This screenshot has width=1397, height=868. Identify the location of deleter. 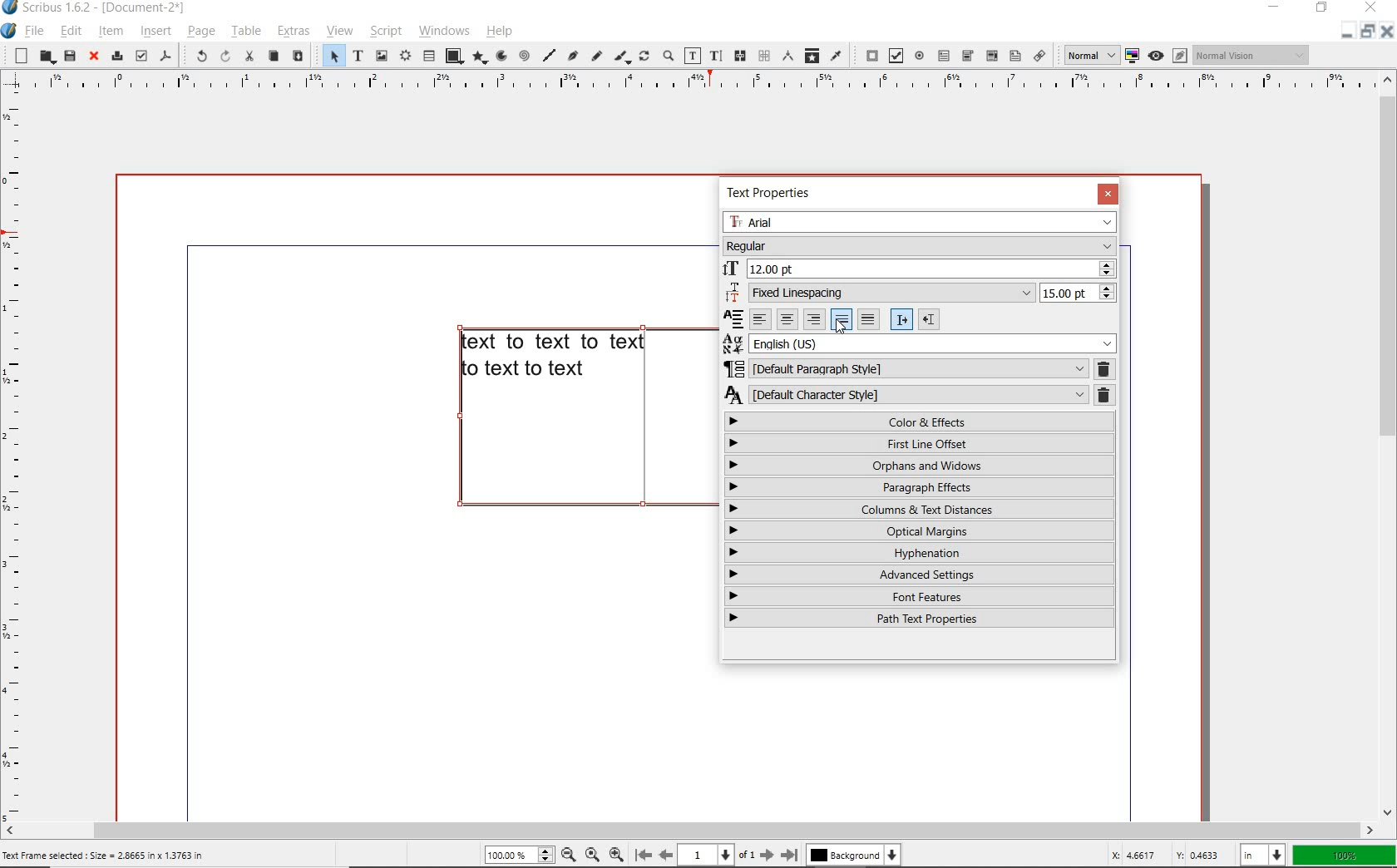
(1104, 397).